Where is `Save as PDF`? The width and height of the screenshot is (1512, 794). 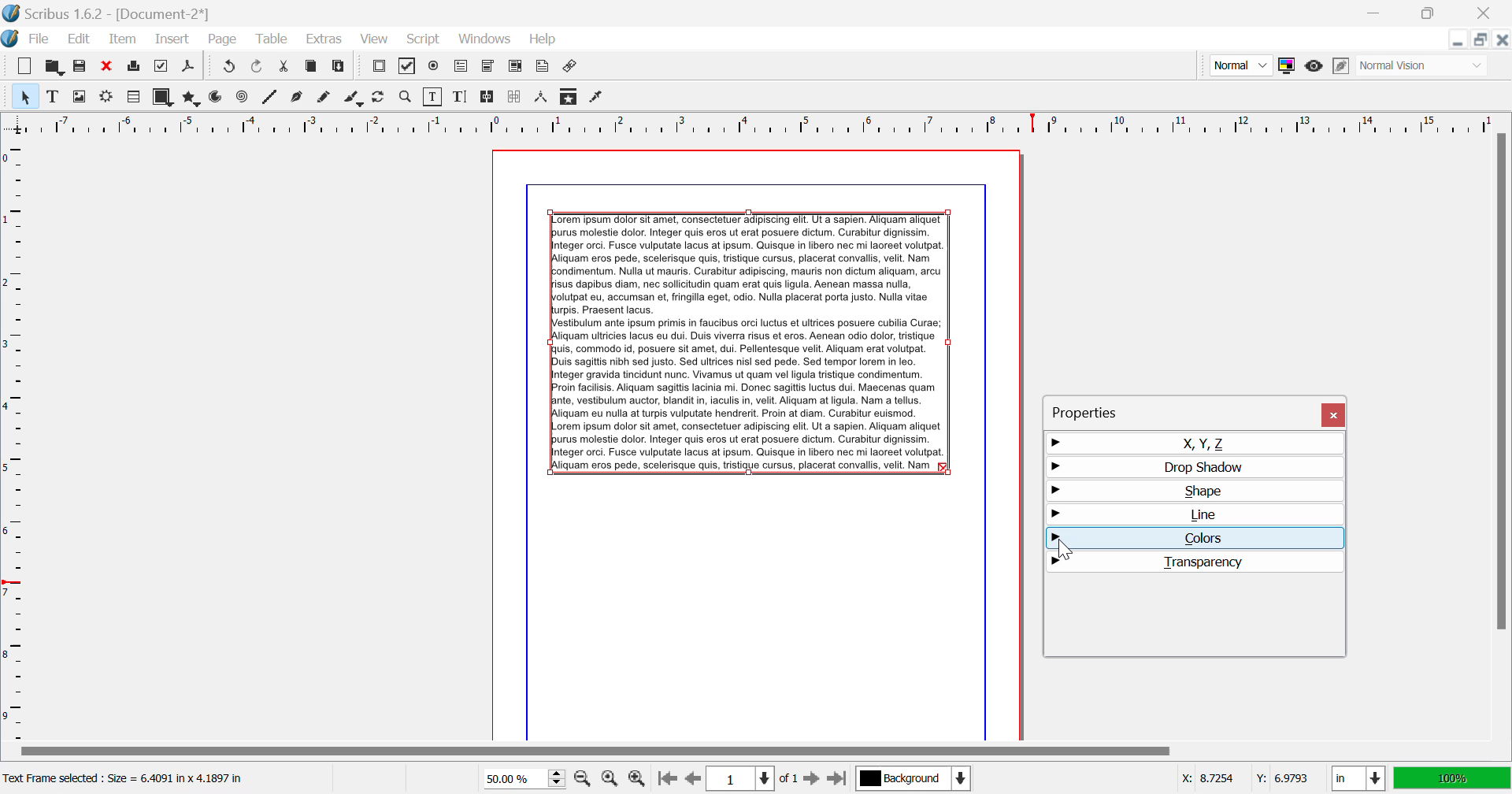 Save as PDF is located at coordinates (189, 68).